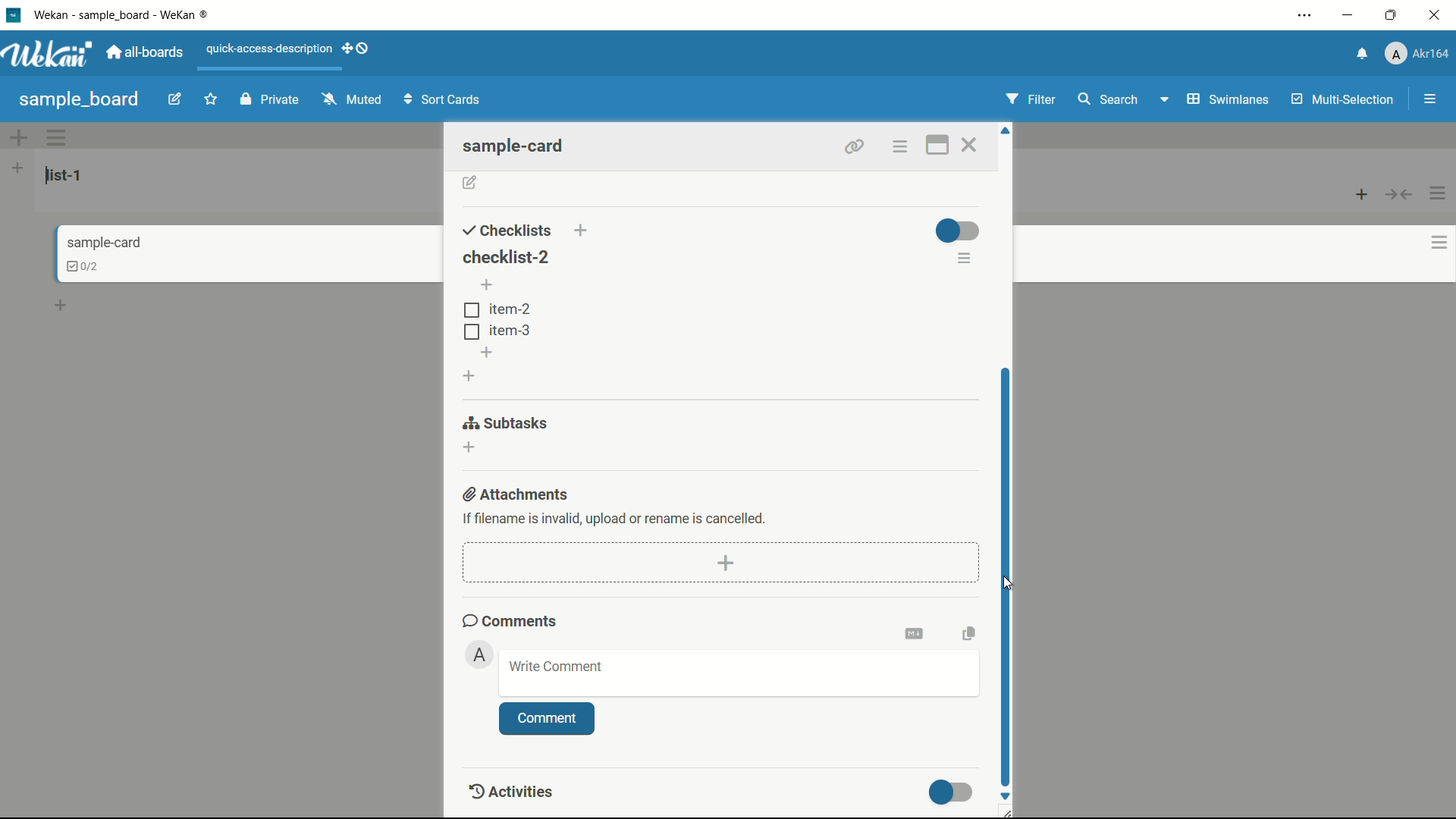 The height and width of the screenshot is (819, 1456). I want to click on add description, so click(470, 184).